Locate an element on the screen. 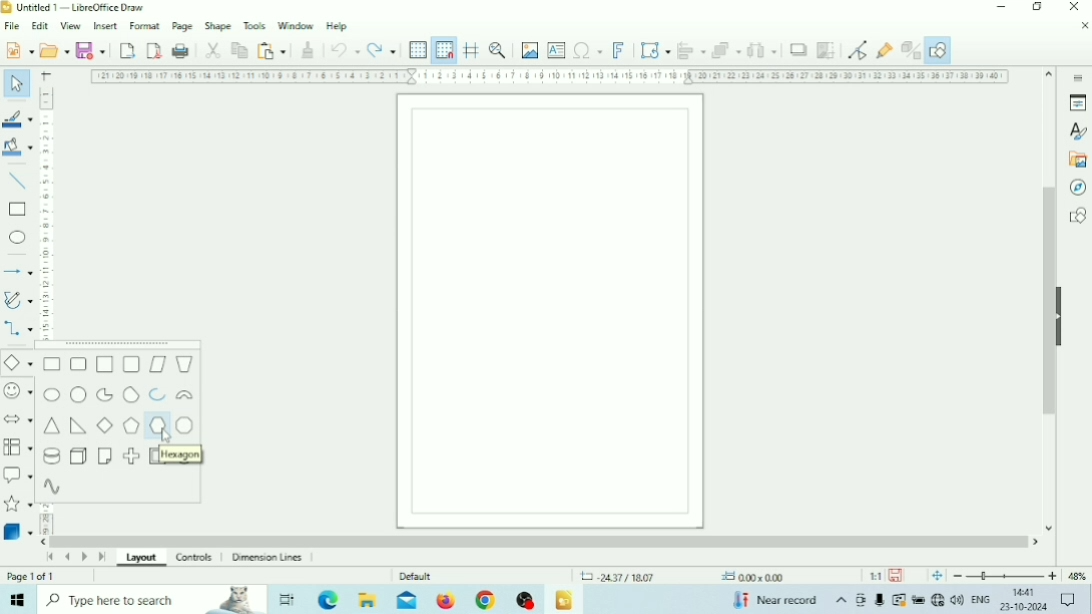 Image resolution: width=1092 pixels, height=614 pixels. Shapes is located at coordinates (1077, 215).